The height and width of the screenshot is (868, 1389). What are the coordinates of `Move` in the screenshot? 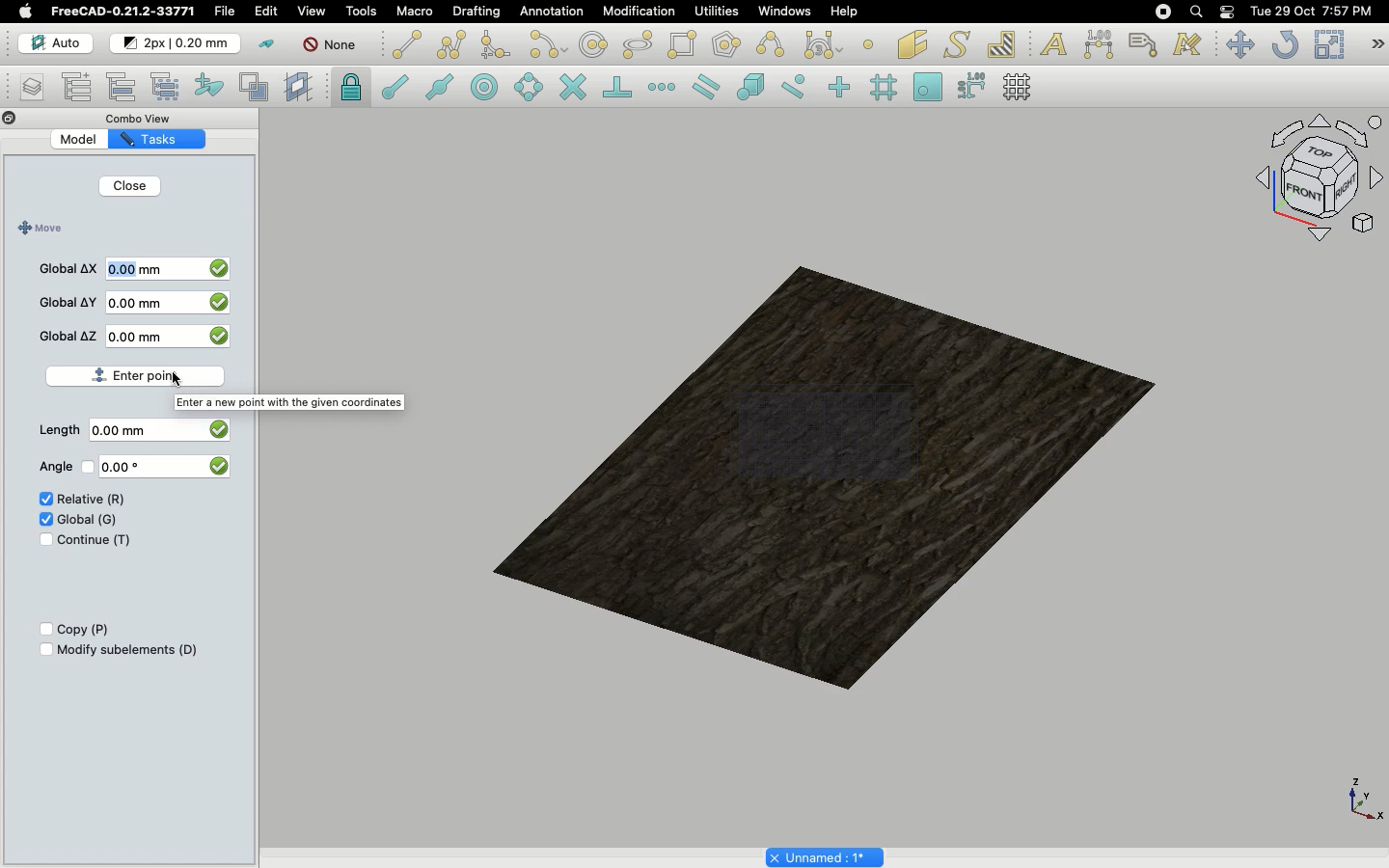 It's located at (38, 229).